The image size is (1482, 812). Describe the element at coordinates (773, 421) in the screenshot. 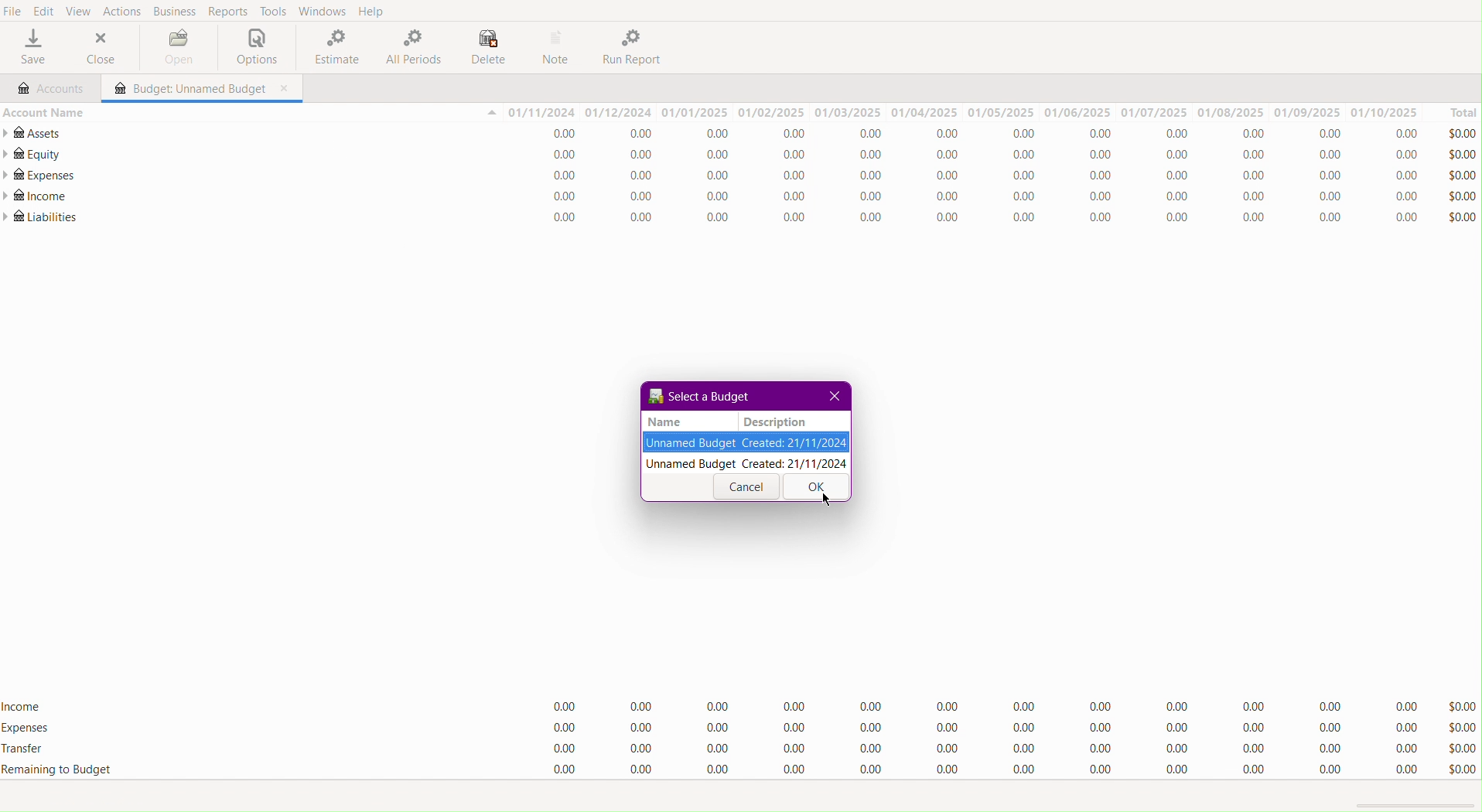

I see `Description` at that location.